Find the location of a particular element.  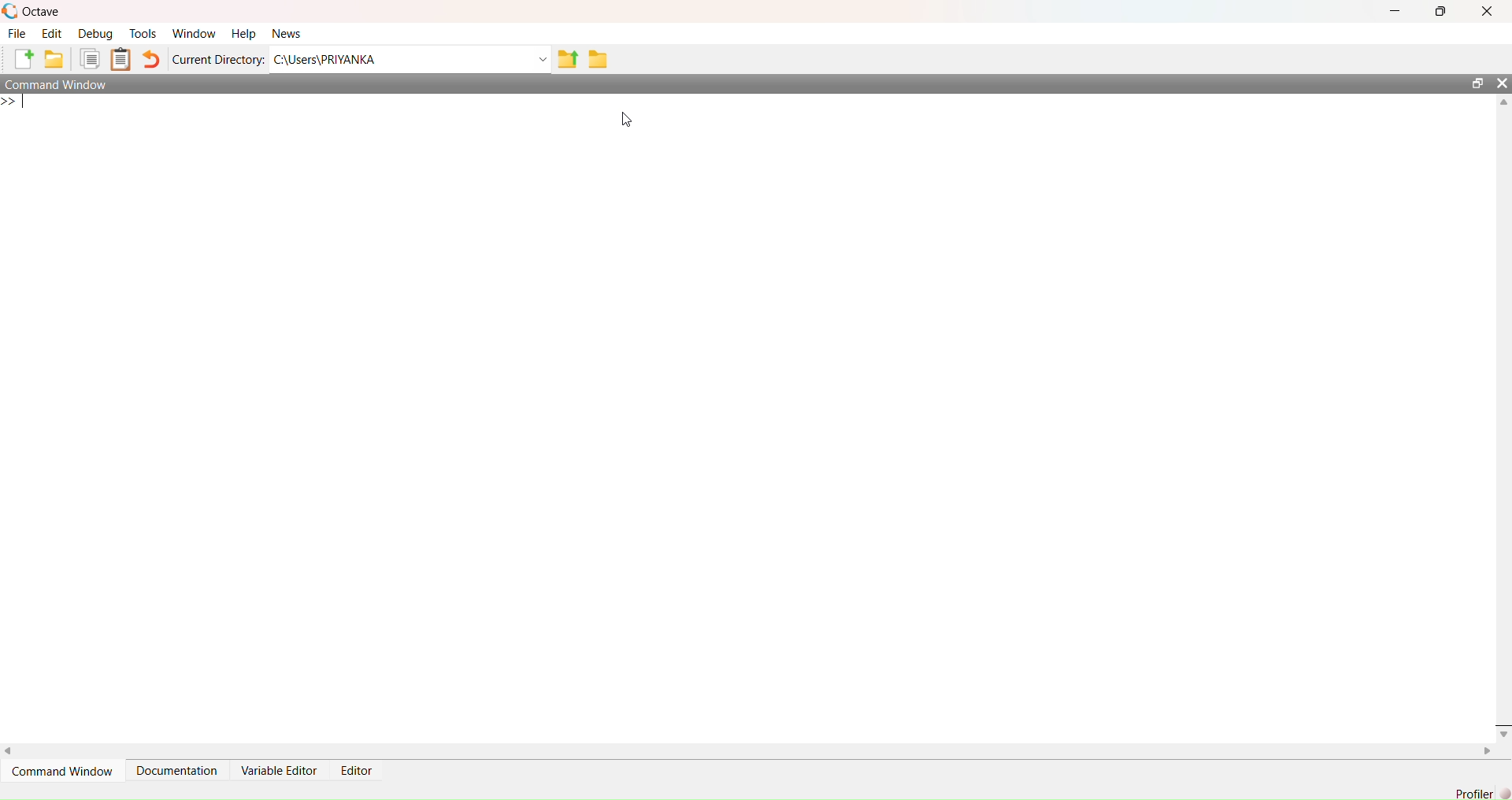

C:/Users/PRIYANKA is located at coordinates (398, 57).